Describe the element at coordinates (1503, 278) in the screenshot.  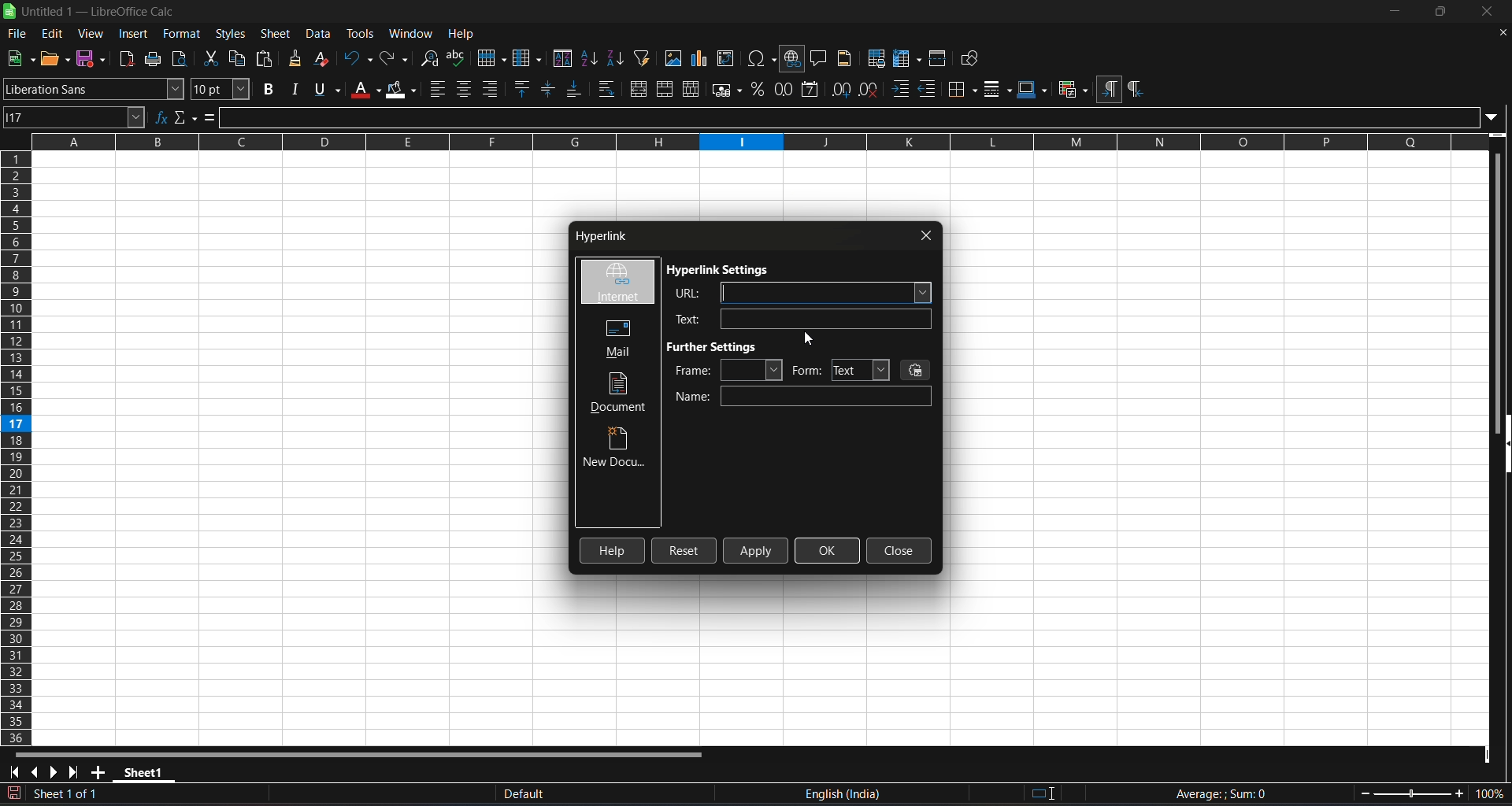
I see `vertical scroll bar` at that location.